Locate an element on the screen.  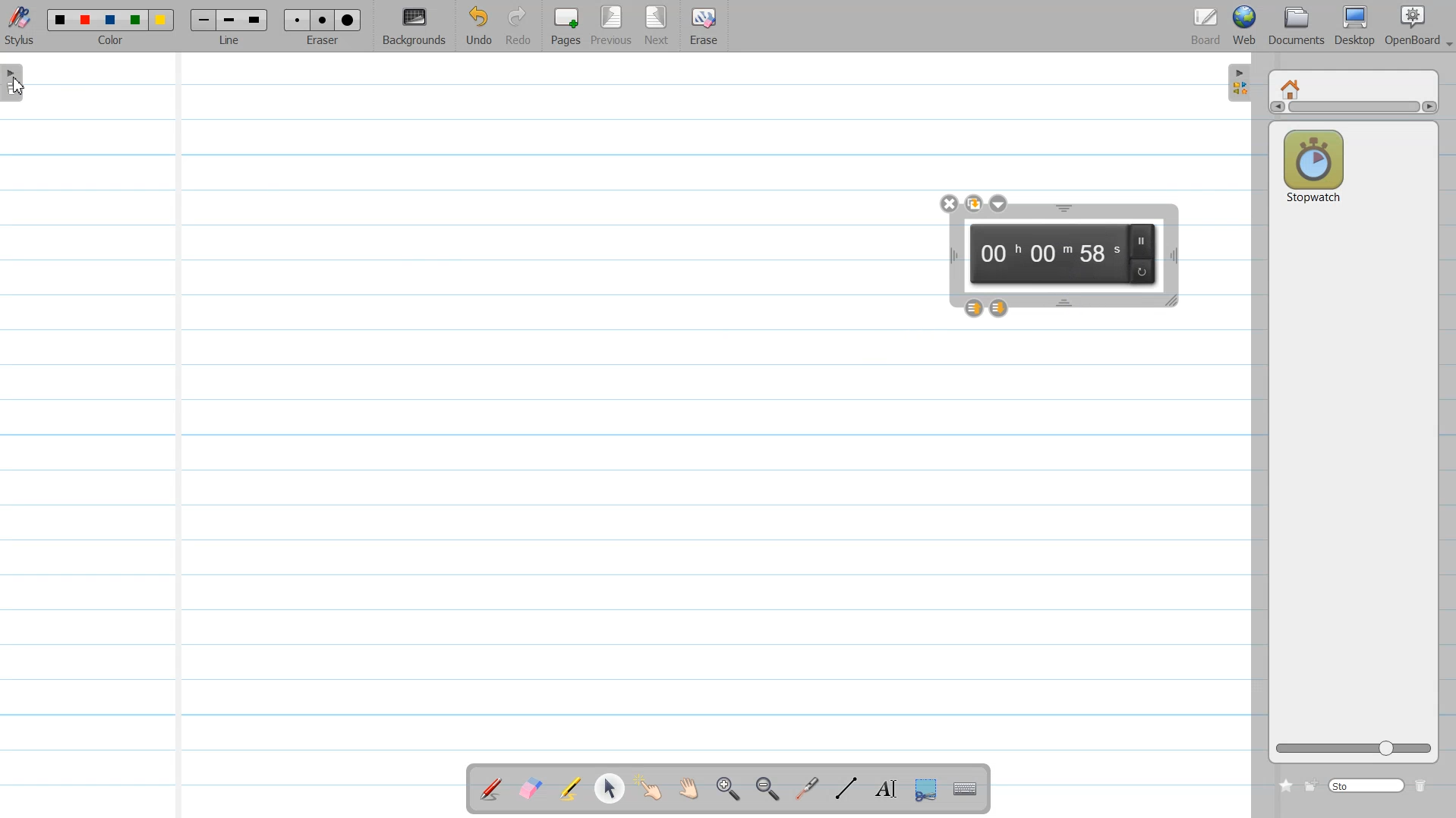
Time window Hight adjustment is located at coordinates (1066, 303).